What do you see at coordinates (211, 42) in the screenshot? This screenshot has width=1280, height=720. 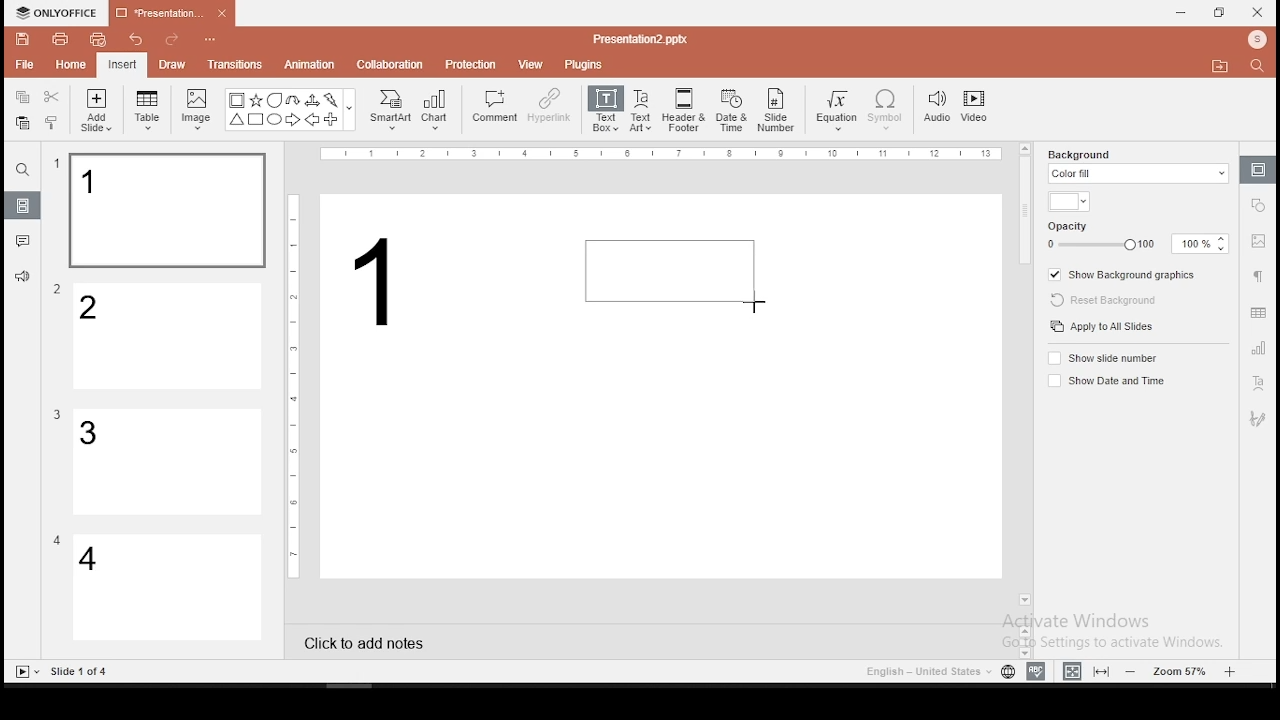 I see `` at bounding box center [211, 42].